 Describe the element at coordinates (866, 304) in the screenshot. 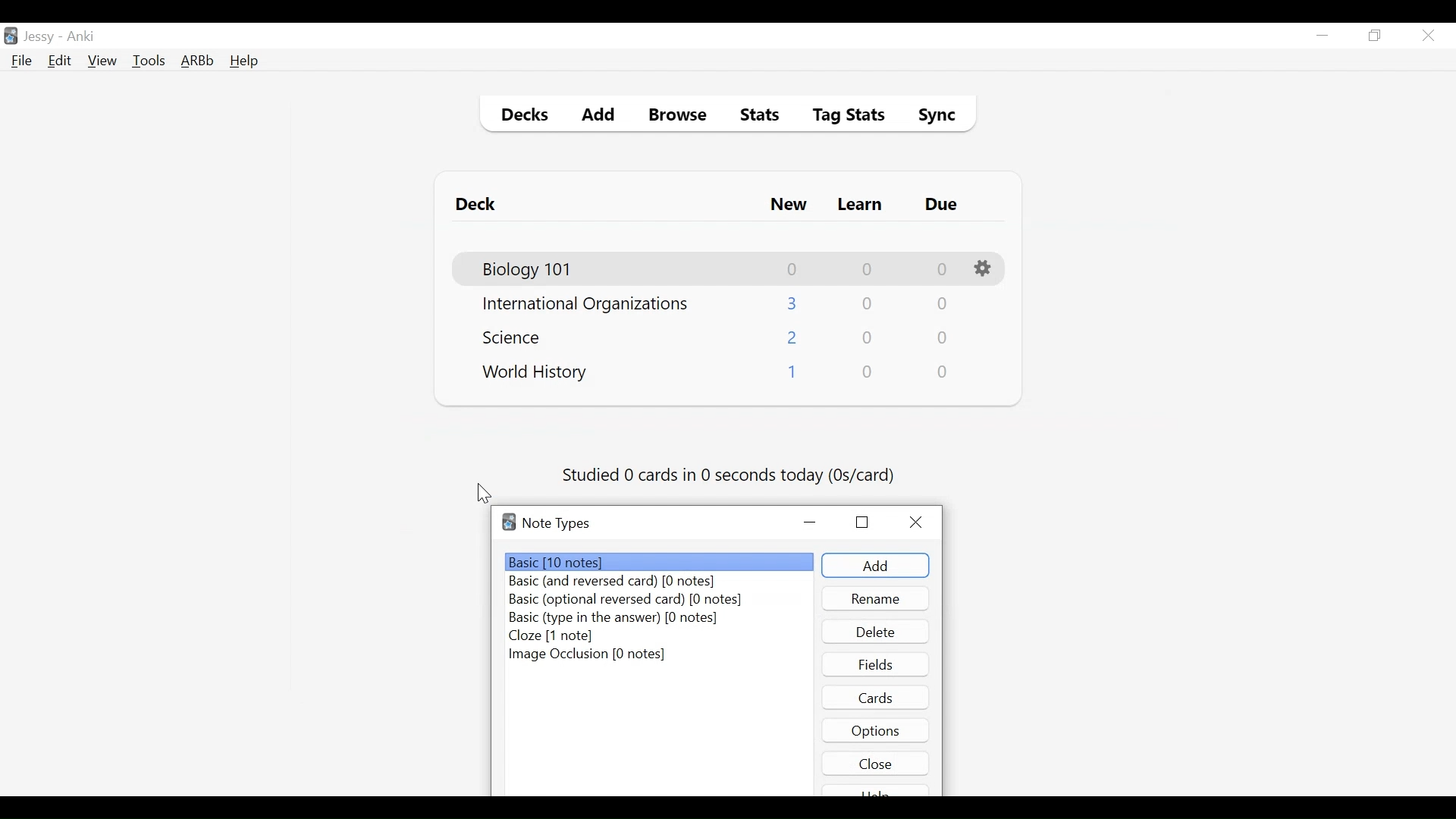

I see `Learn Card Count` at that location.